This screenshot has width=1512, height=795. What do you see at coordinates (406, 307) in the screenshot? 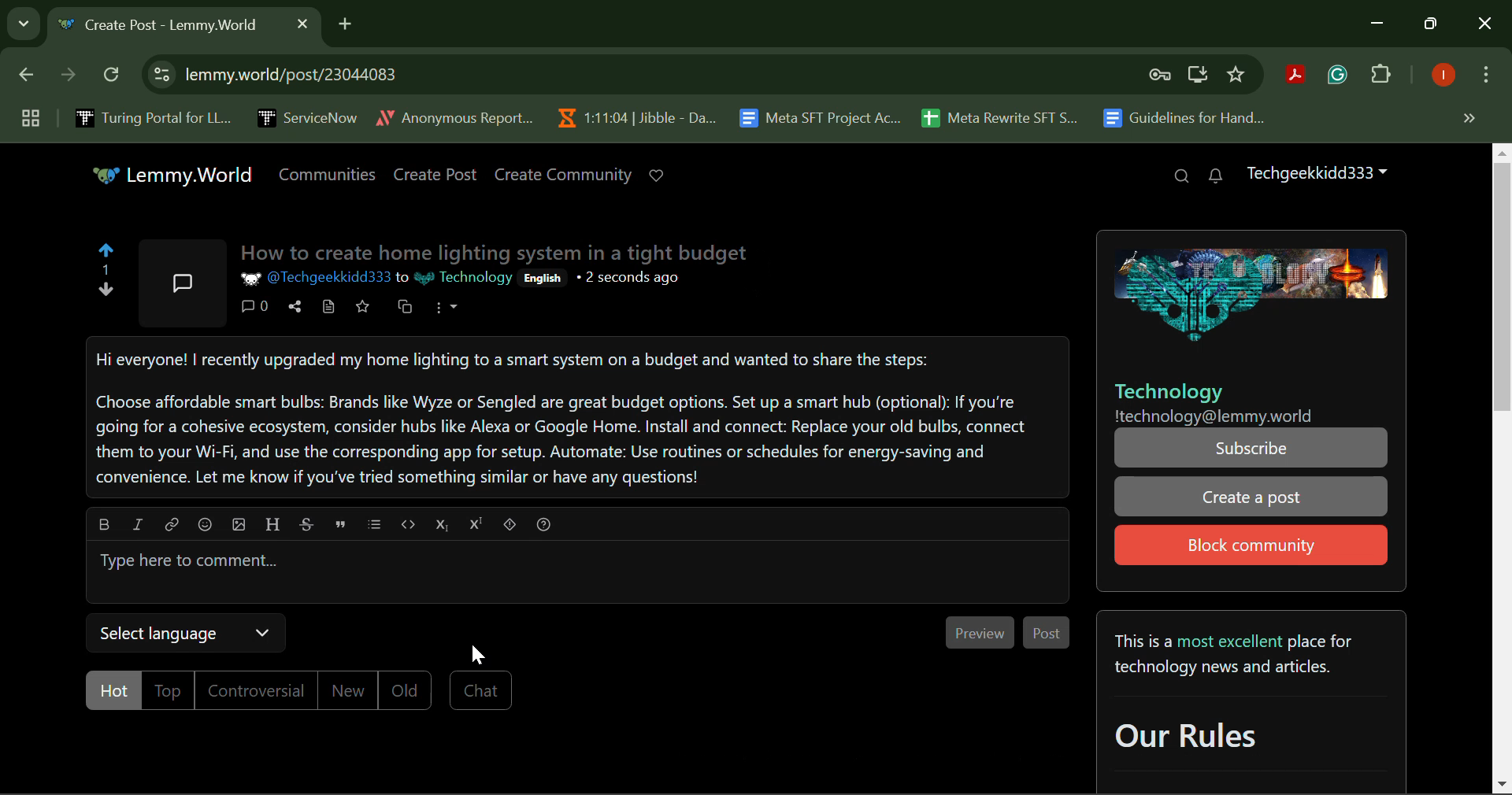
I see `Cross-post` at bounding box center [406, 307].